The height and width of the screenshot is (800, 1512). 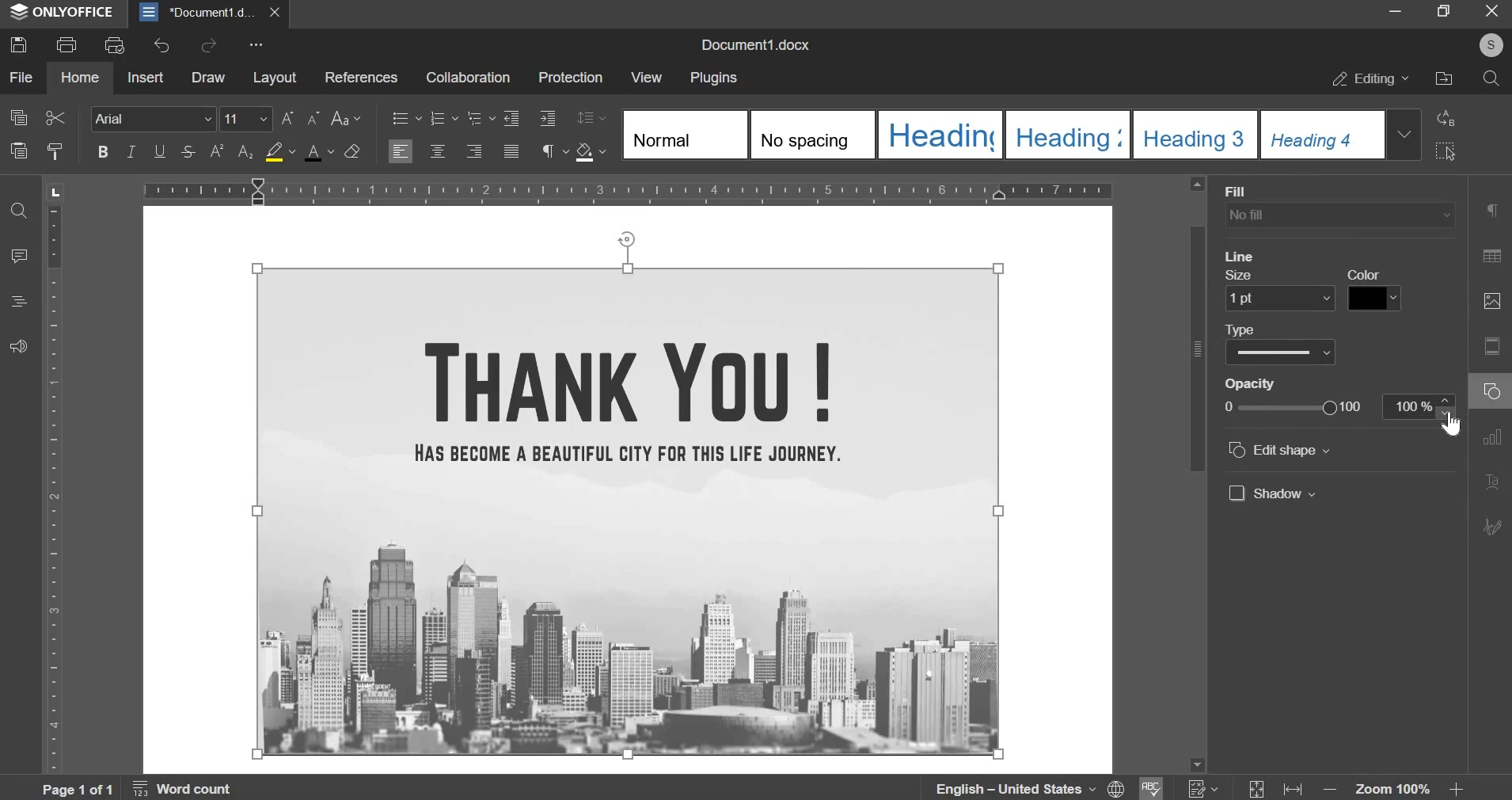 What do you see at coordinates (647, 75) in the screenshot?
I see `view` at bounding box center [647, 75].